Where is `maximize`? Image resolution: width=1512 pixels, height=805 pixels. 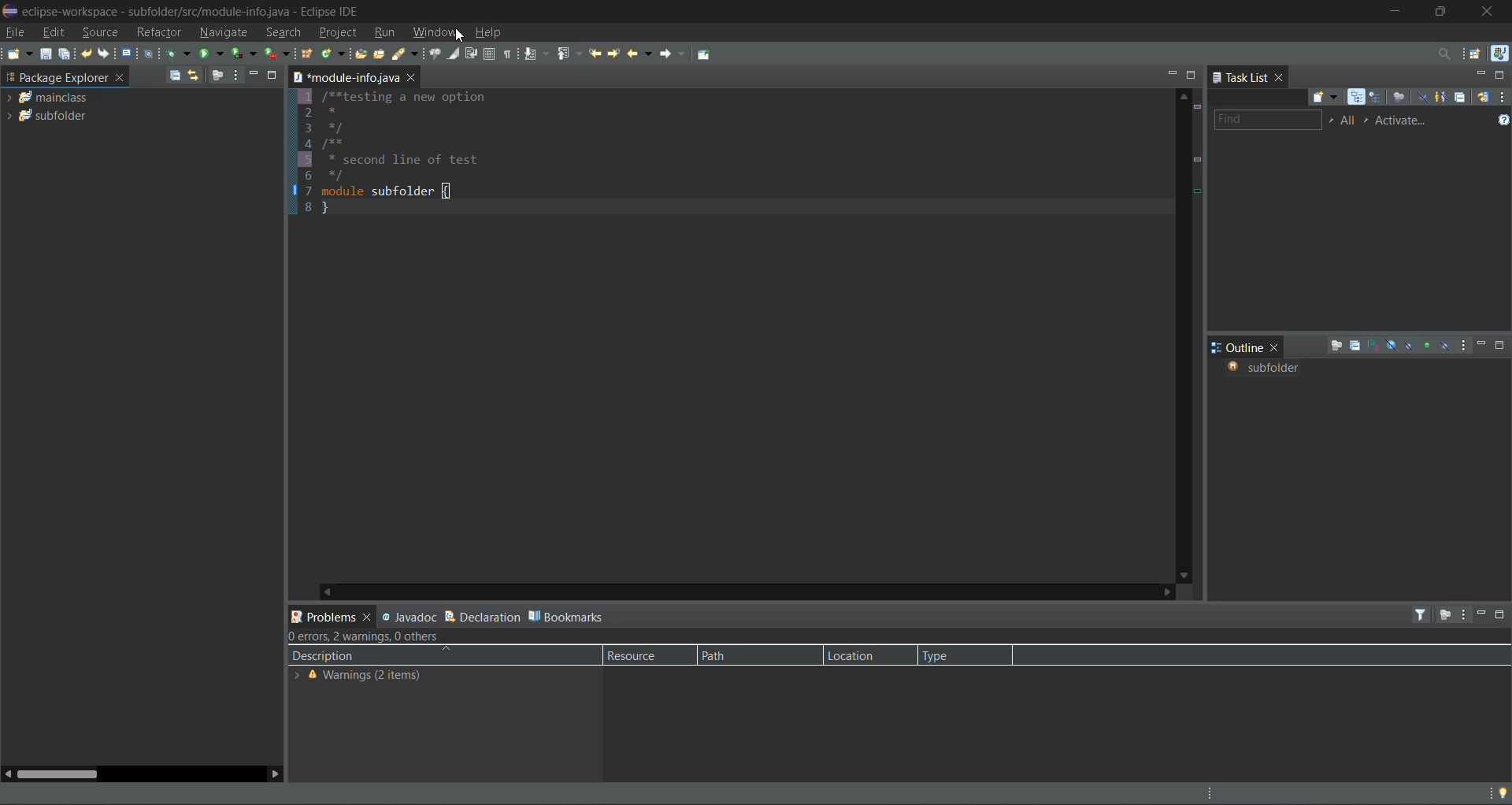 maximize is located at coordinates (1194, 76).